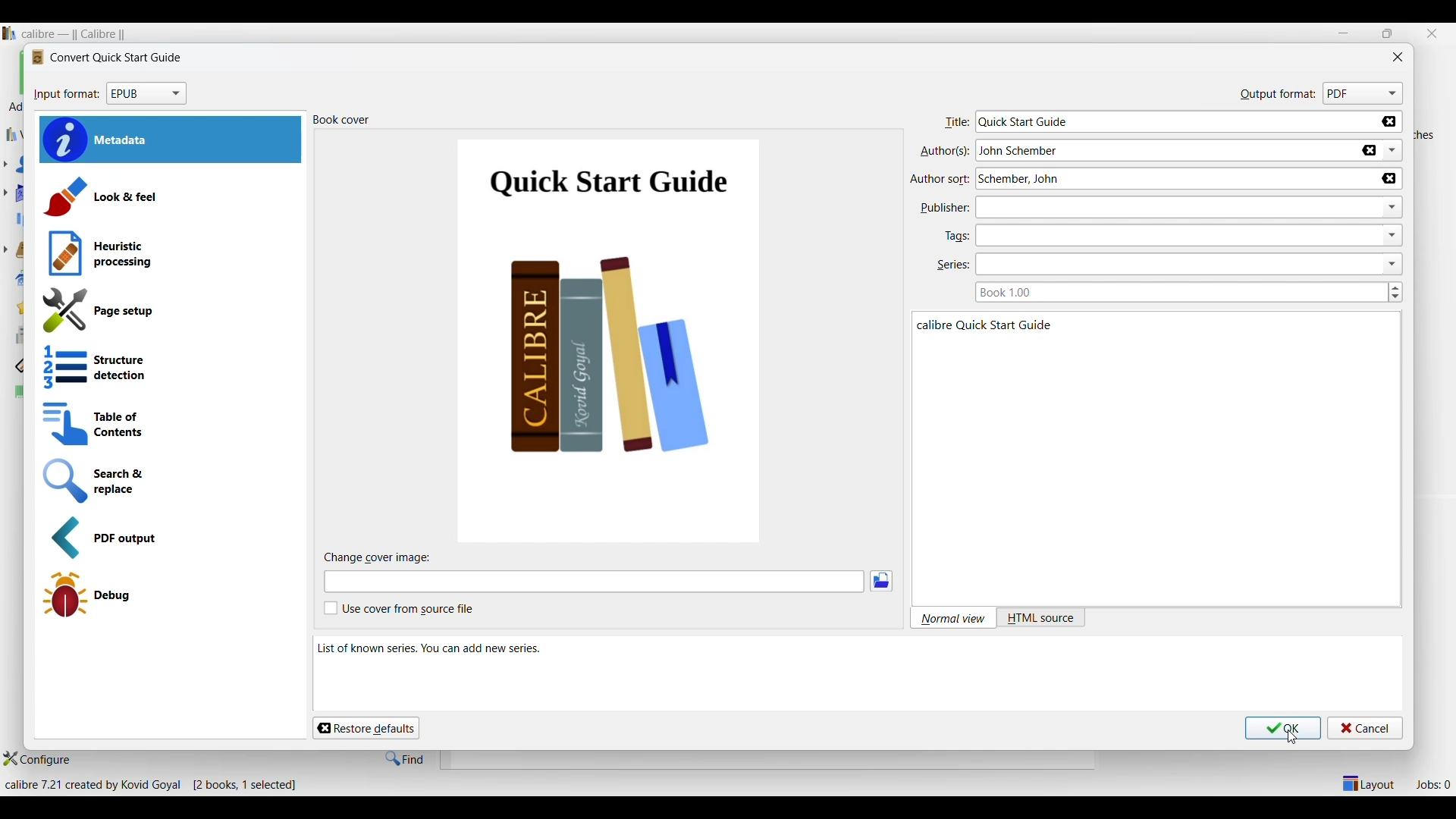 The height and width of the screenshot is (819, 1456). Describe the element at coordinates (1343, 33) in the screenshot. I see `Minimize` at that location.